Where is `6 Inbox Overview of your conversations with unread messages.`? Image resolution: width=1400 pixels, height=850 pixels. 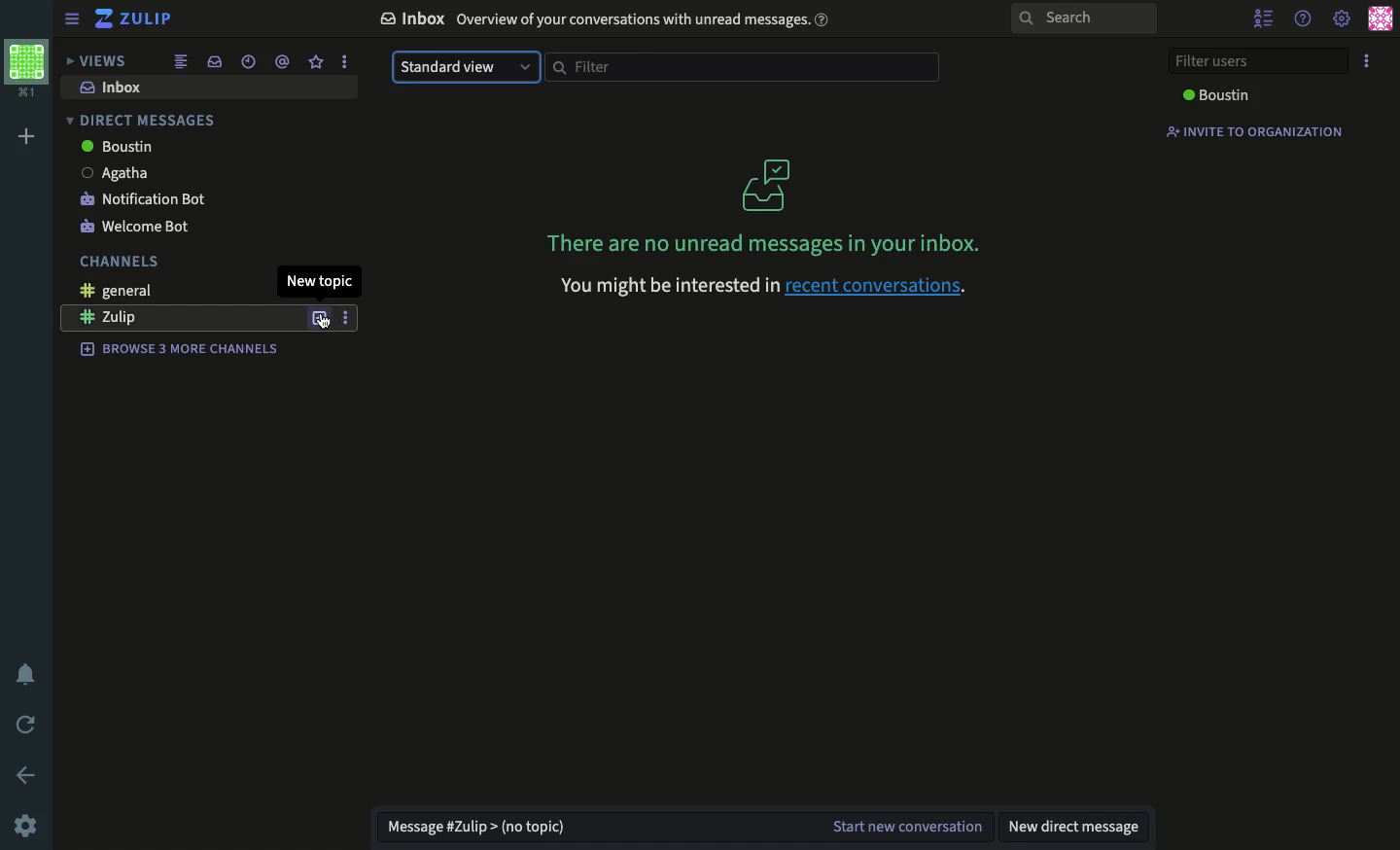 6 Inbox Overview of your conversations with unread messages. is located at coordinates (598, 19).